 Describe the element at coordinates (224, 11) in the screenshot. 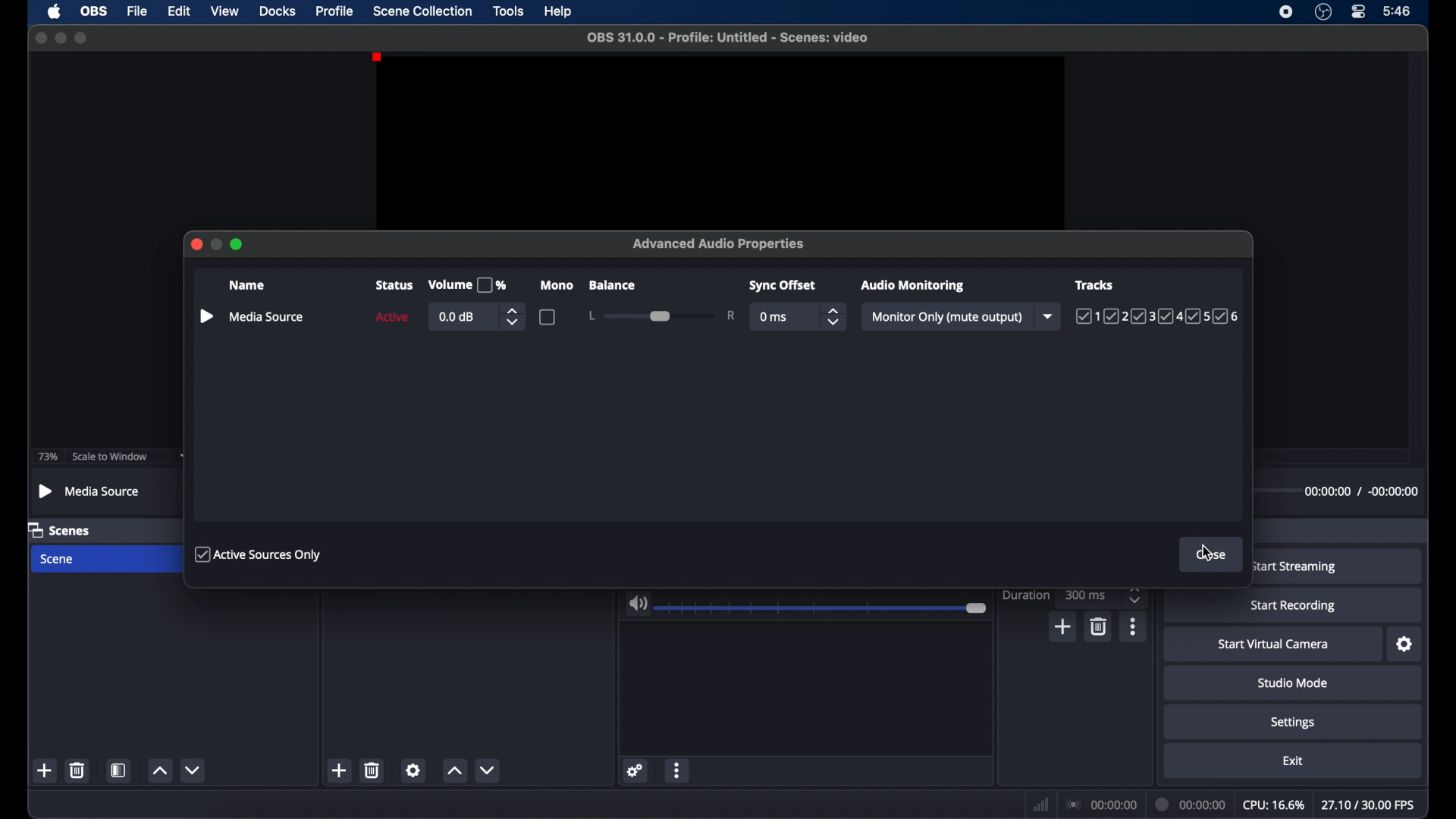

I see `view` at that location.